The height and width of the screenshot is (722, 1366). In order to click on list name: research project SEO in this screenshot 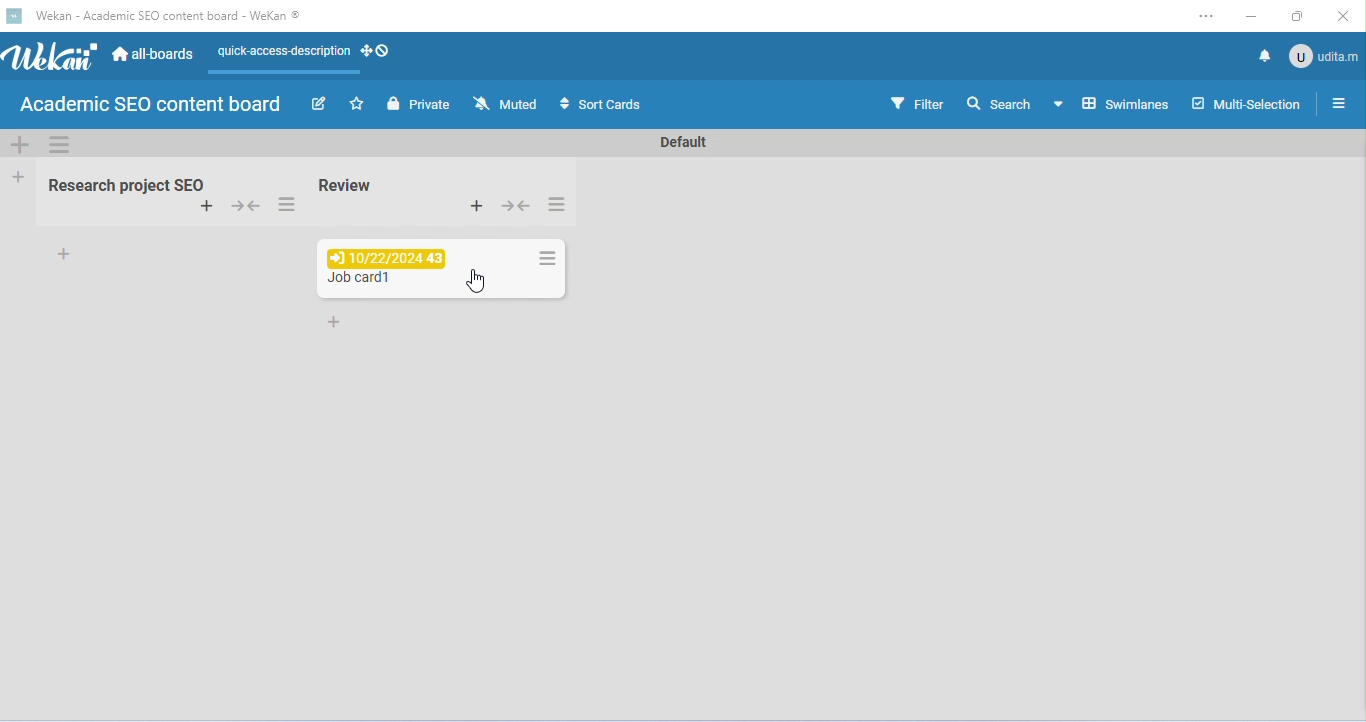, I will do `click(121, 186)`.